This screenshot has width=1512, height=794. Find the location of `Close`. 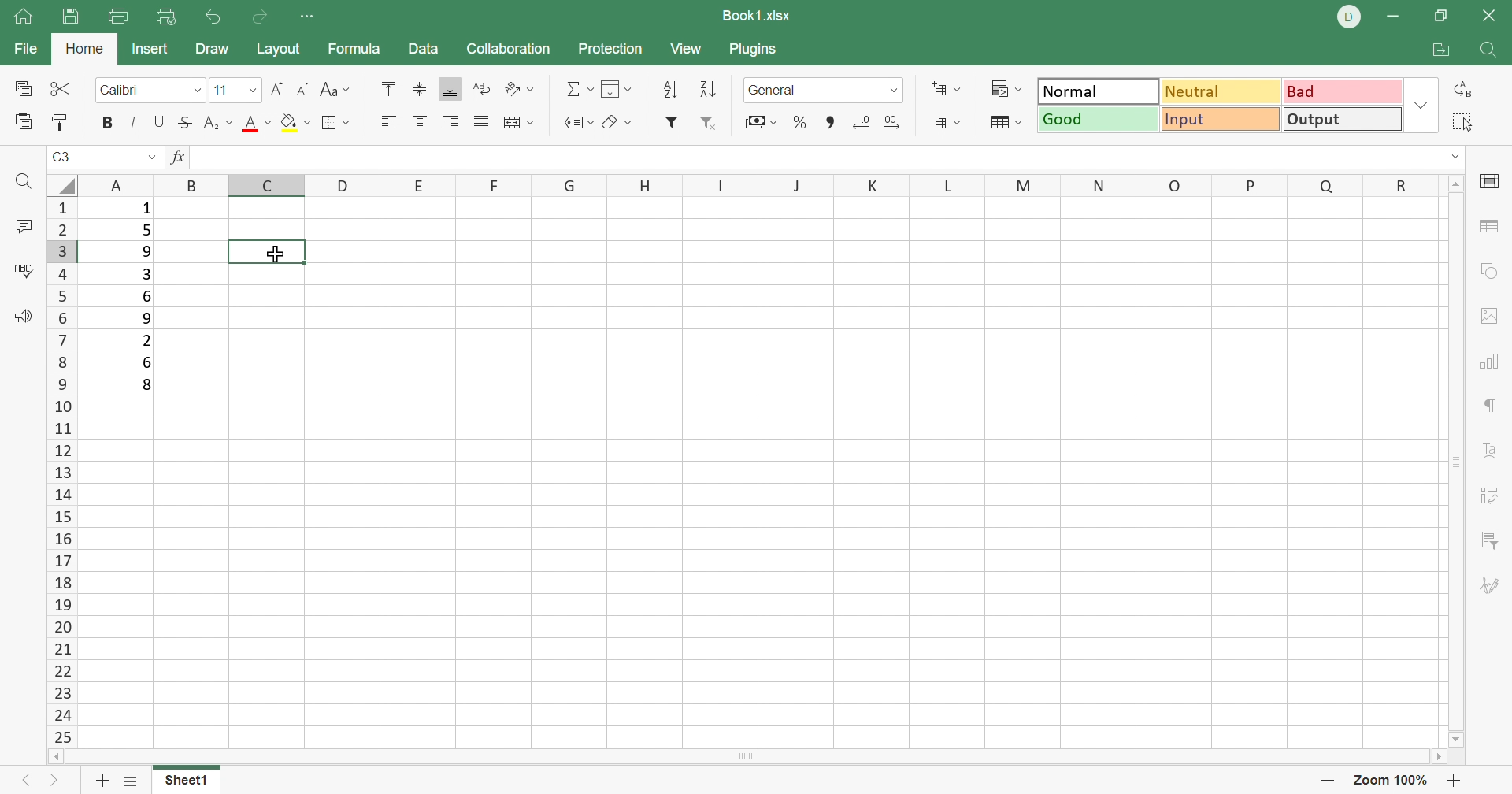

Close is located at coordinates (1493, 15).